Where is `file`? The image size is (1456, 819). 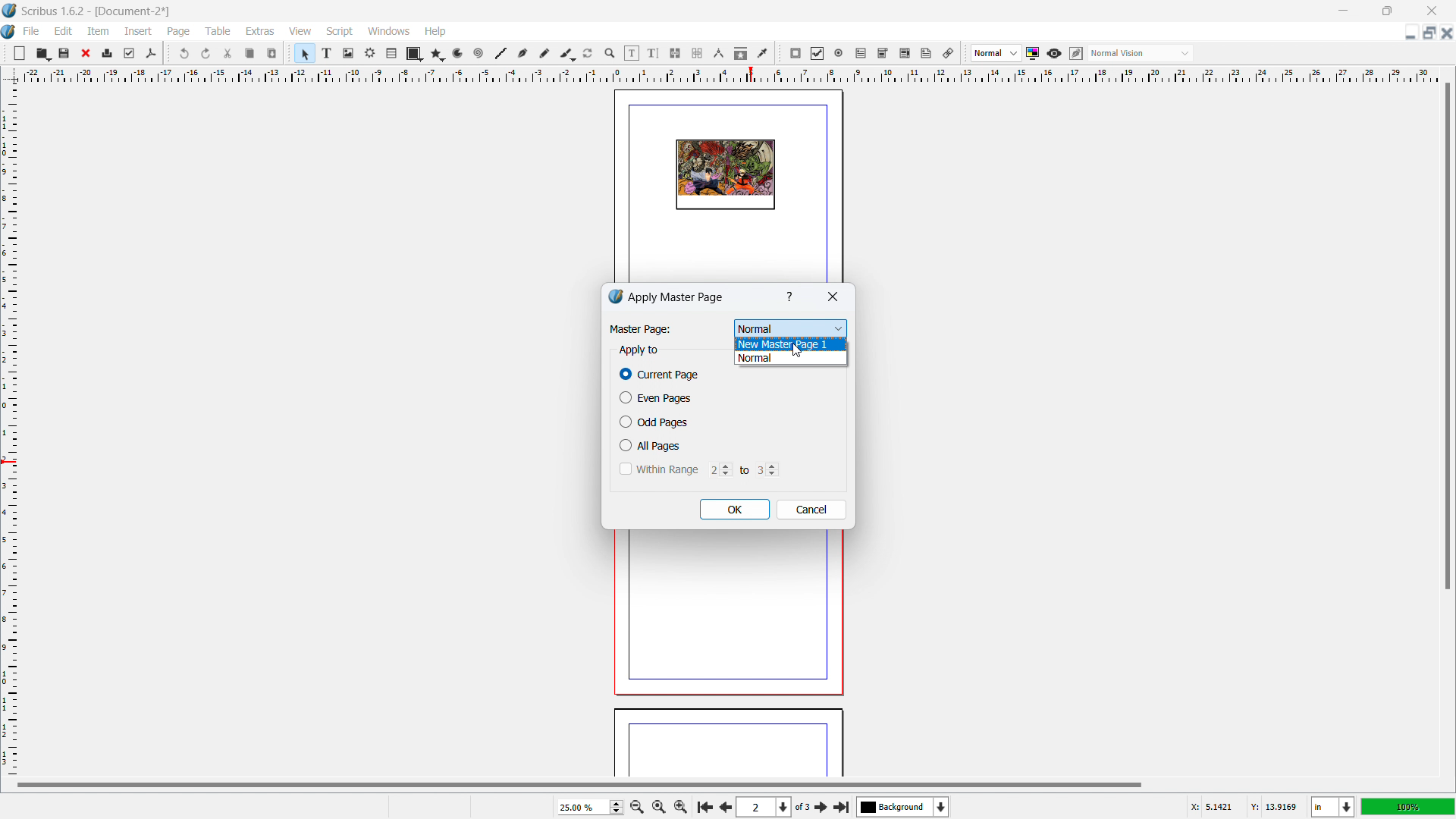
file is located at coordinates (30, 31).